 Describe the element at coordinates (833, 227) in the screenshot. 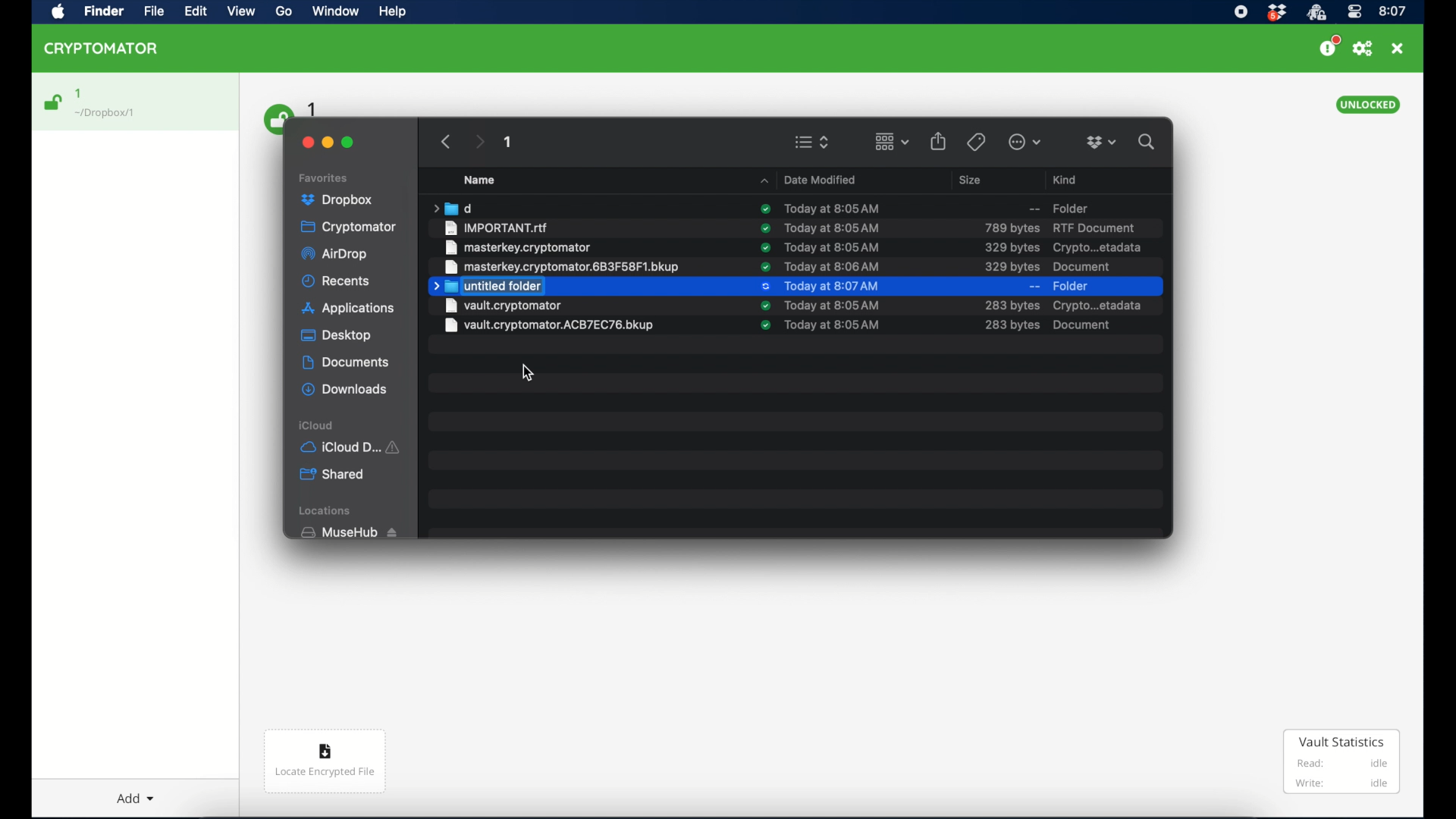

I see `te` at that location.